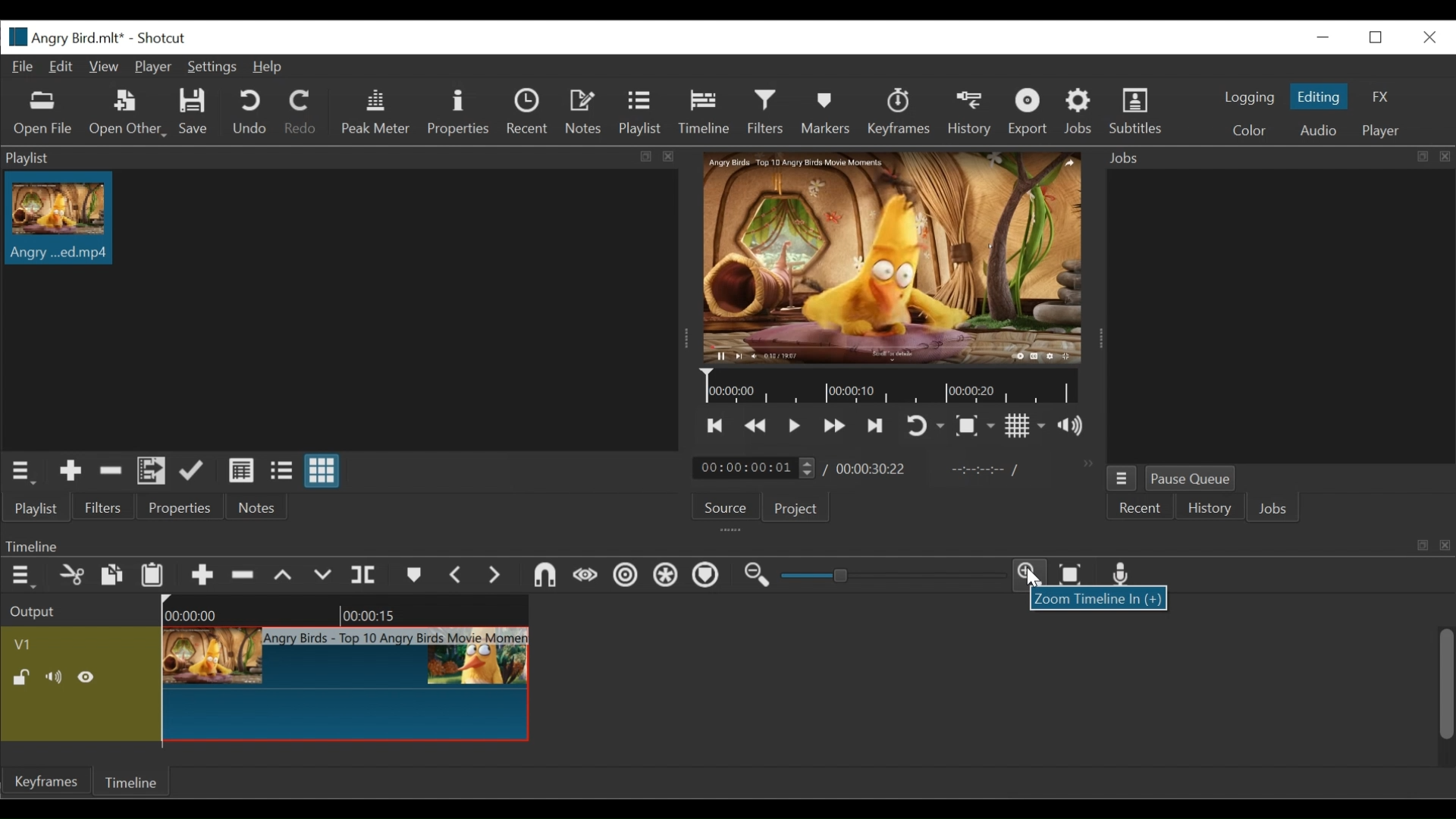 Image resolution: width=1456 pixels, height=819 pixels. What do you see at coordinates (1193, 477) in the screenshot?
I see `Pause Queue` at bounding box center [1193, 477].